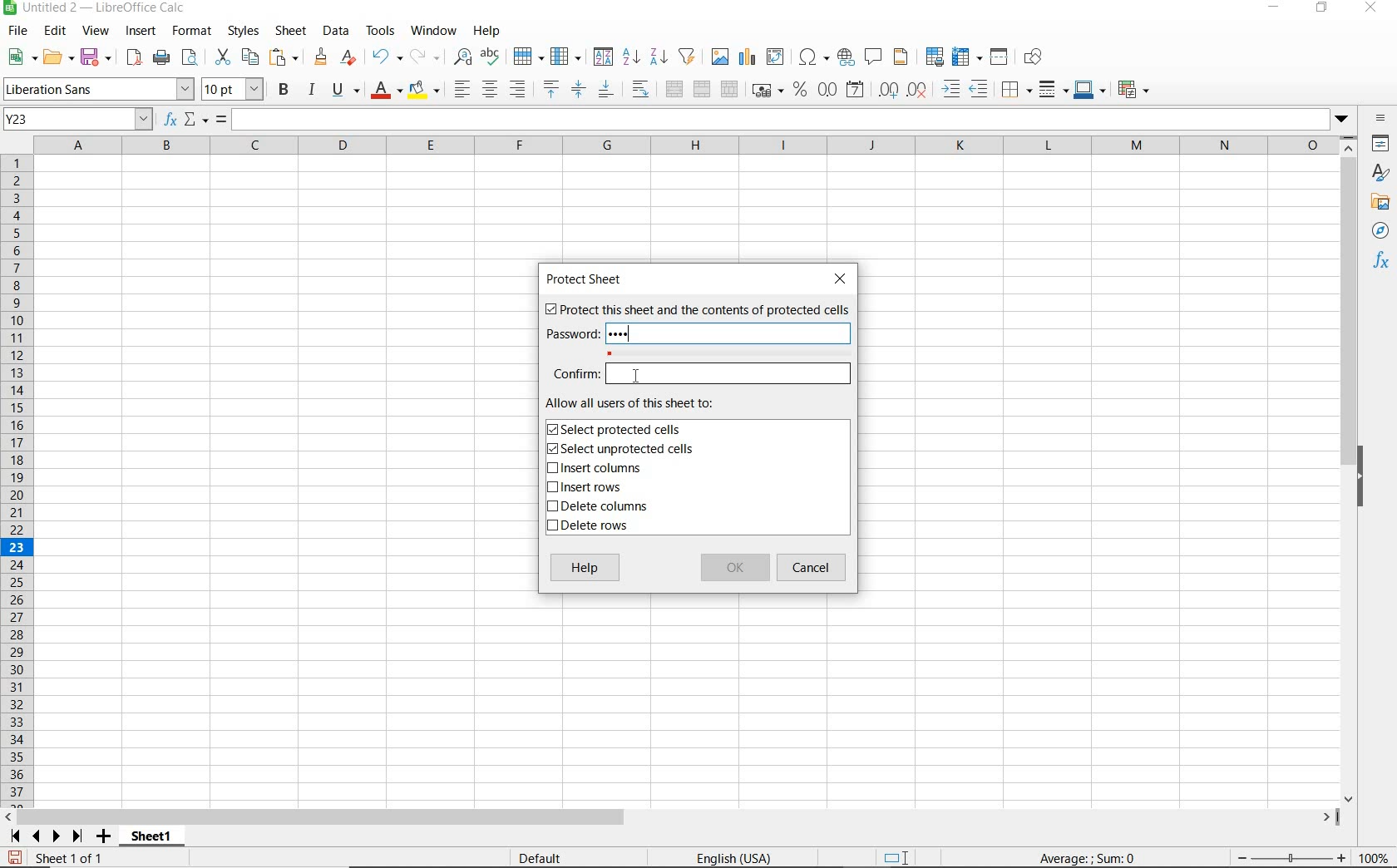 Image resolution: width=1397 pixels, height=868 pixels. What do you see at coordinates (386, 91) in the screenshot?
I see `FONT COLOR` at bounding box center [386, 91].